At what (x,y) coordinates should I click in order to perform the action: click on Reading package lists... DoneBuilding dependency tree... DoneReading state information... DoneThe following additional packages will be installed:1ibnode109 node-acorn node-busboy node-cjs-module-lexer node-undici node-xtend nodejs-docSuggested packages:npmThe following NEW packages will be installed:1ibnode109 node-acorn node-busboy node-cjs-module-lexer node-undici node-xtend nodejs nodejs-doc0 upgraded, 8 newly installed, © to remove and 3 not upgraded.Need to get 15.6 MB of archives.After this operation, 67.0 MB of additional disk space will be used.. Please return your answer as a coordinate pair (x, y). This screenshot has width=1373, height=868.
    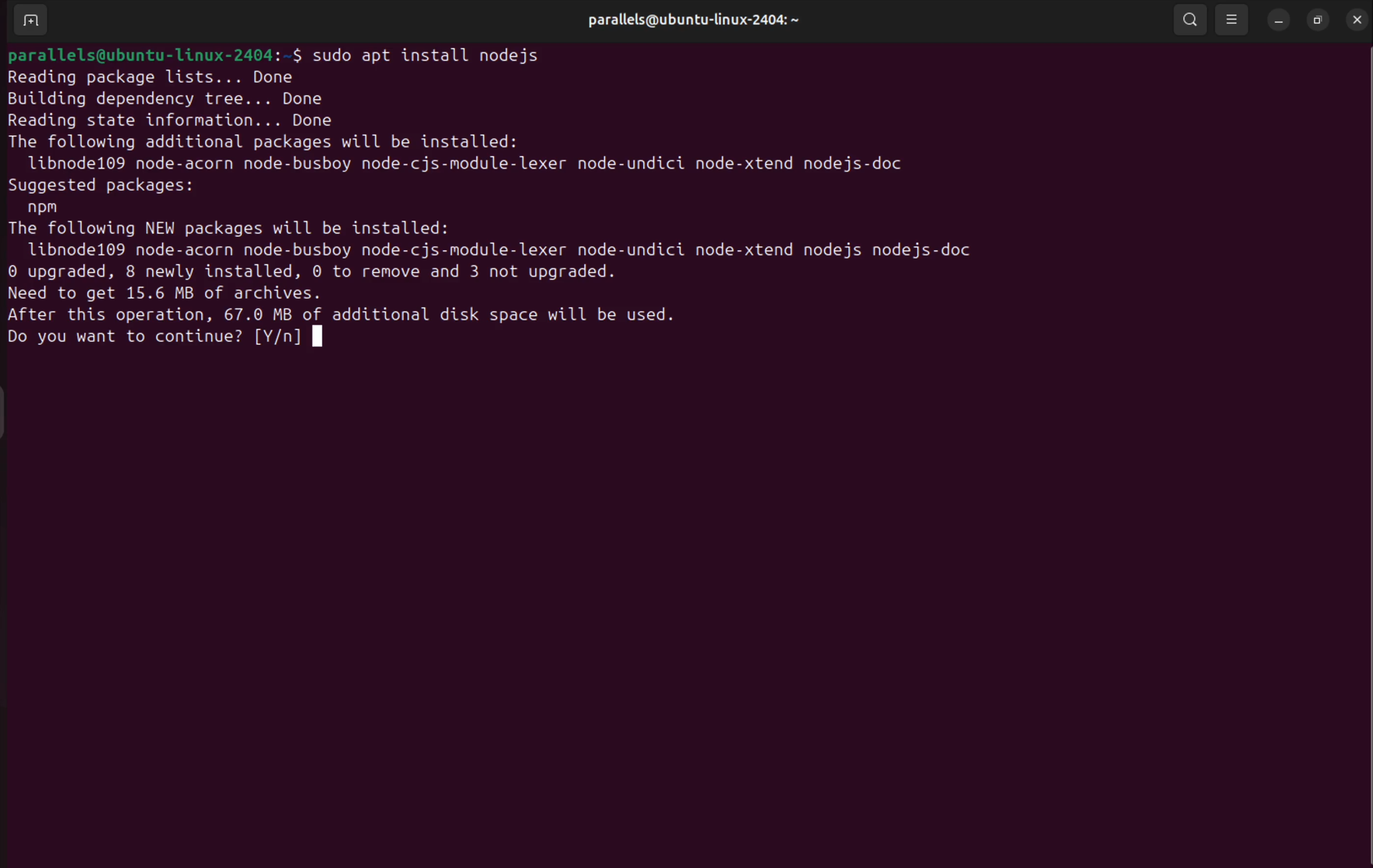
    Looking at the image, I should click on (523, 195).